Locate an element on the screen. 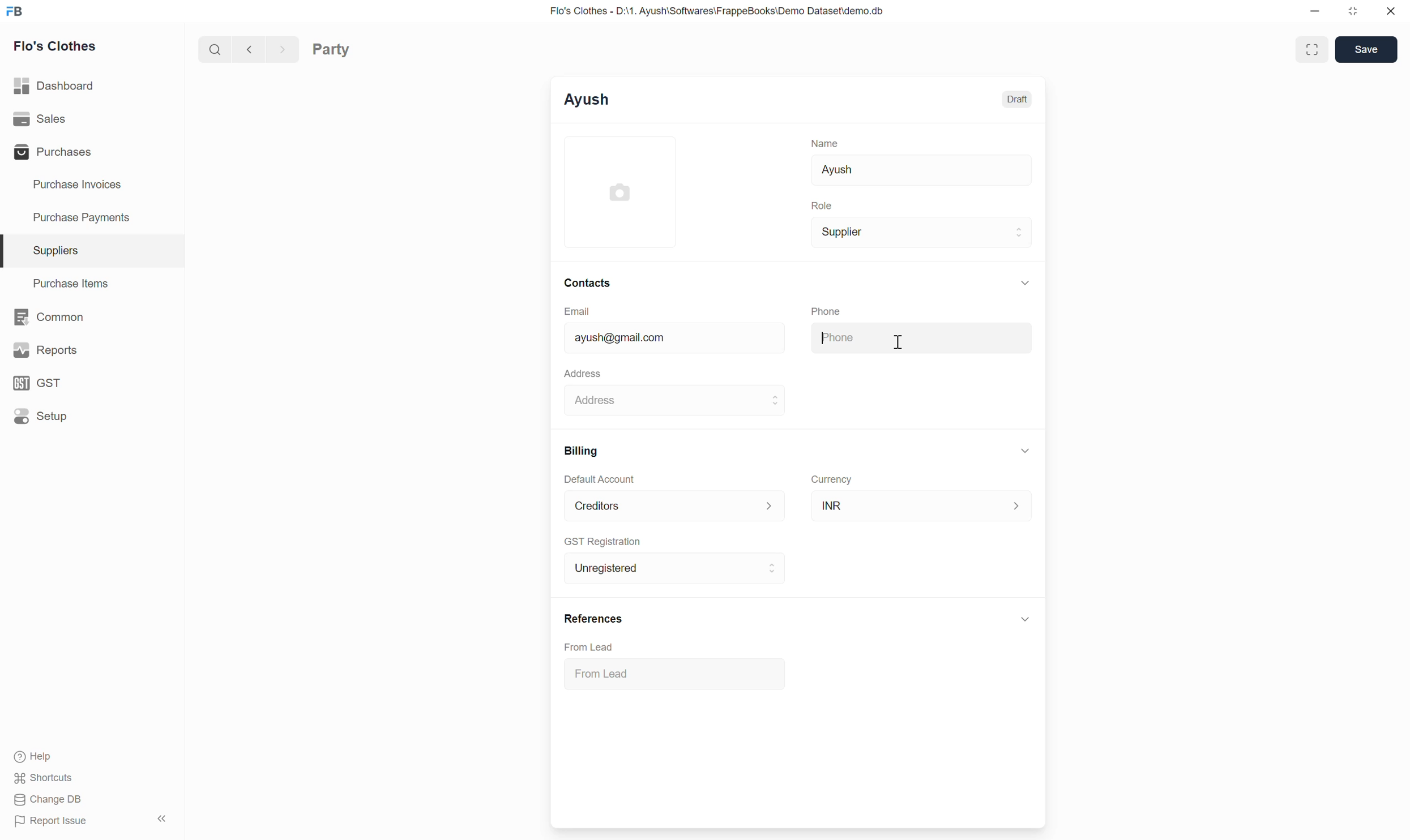 This screenshot has height=840, width=1410. GST is located at coordinates (91, 383).